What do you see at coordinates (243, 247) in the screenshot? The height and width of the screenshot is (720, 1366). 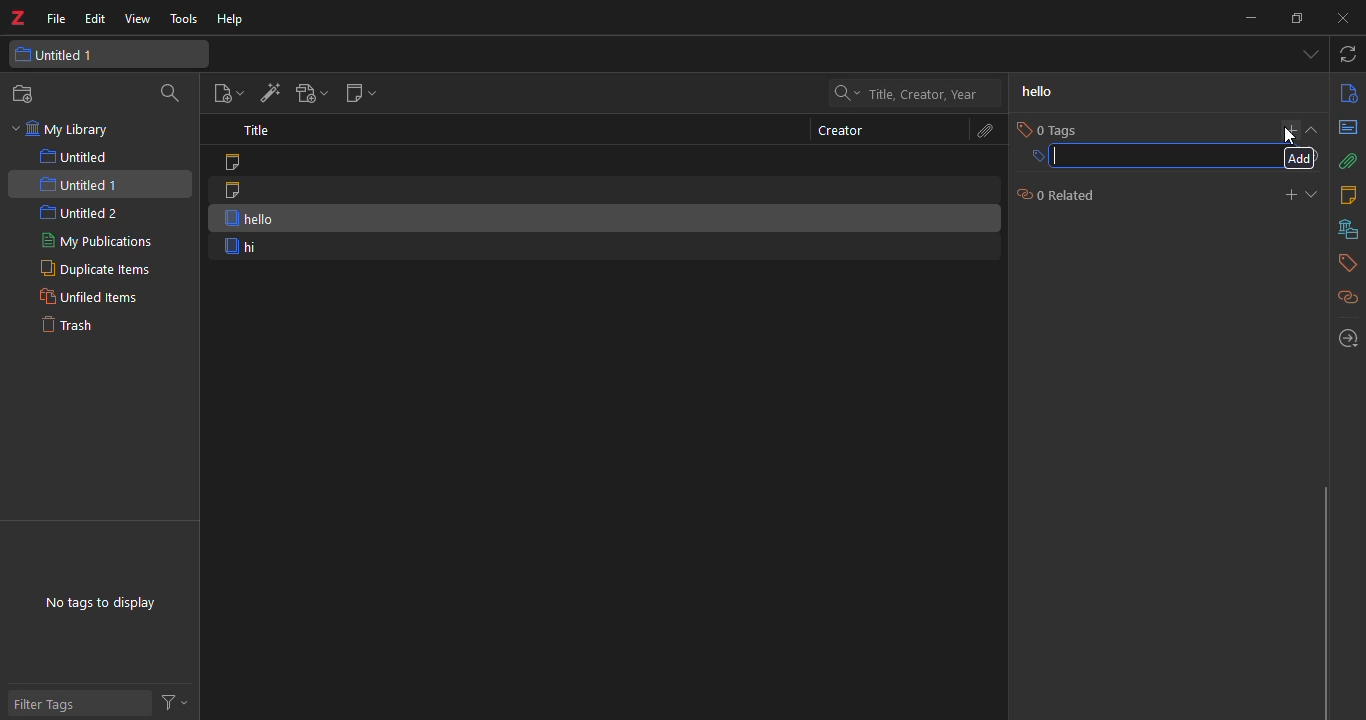 I see `hi` at bounding box center [243, 247].